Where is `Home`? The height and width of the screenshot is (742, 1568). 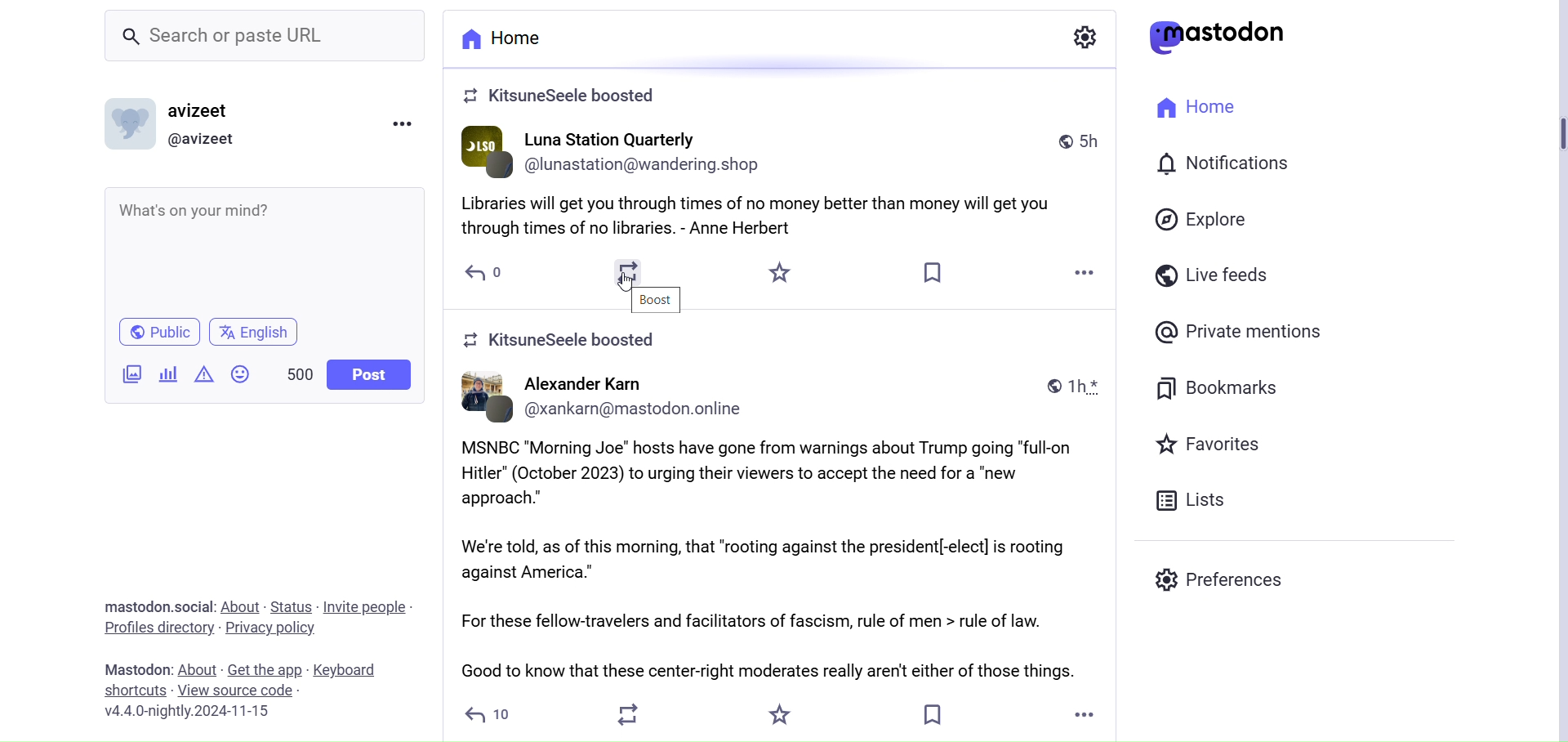 Home is located at coordinates (501, 38).